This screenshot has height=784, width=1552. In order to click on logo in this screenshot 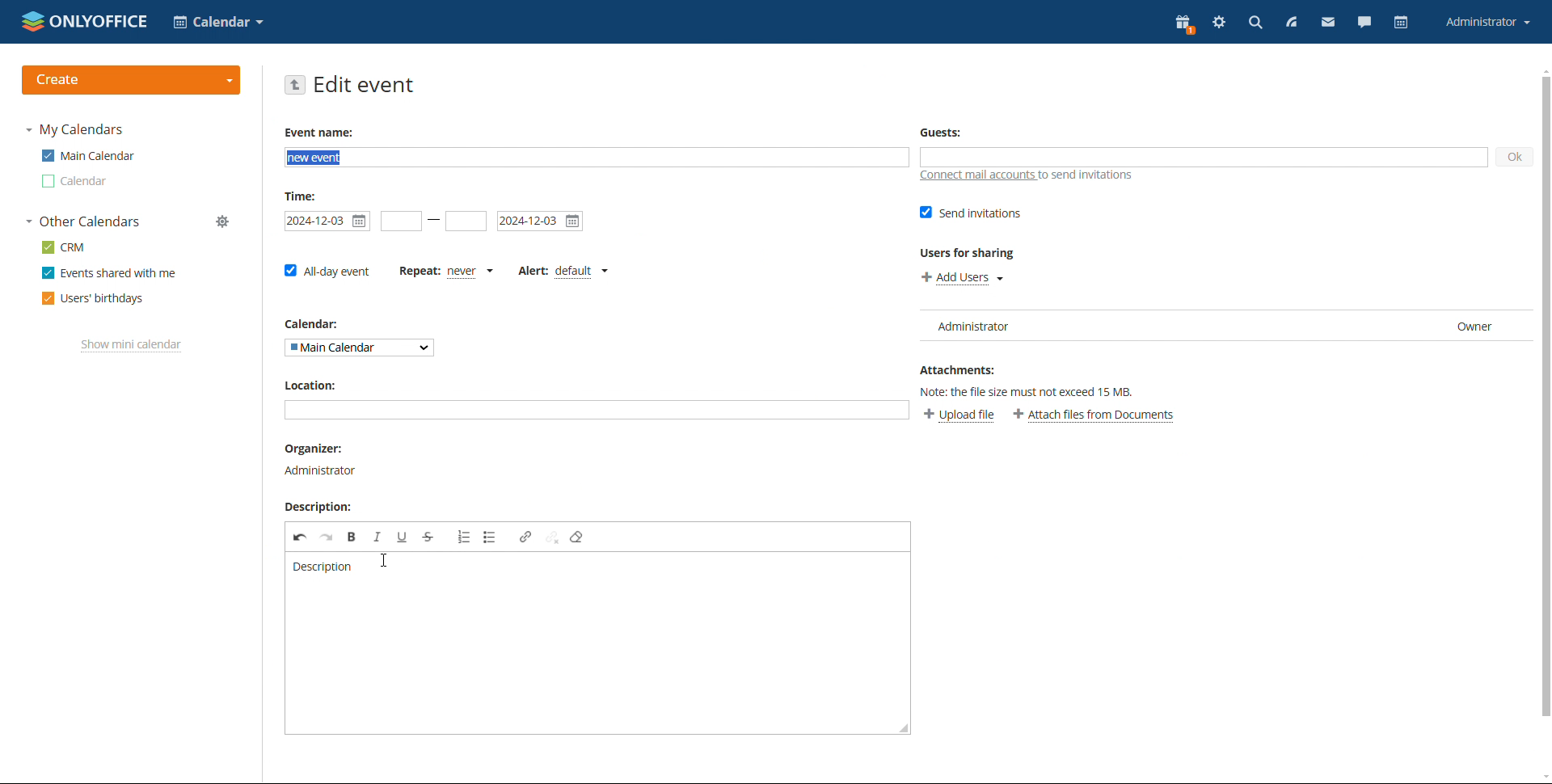, I will do `click(85, 20)`.